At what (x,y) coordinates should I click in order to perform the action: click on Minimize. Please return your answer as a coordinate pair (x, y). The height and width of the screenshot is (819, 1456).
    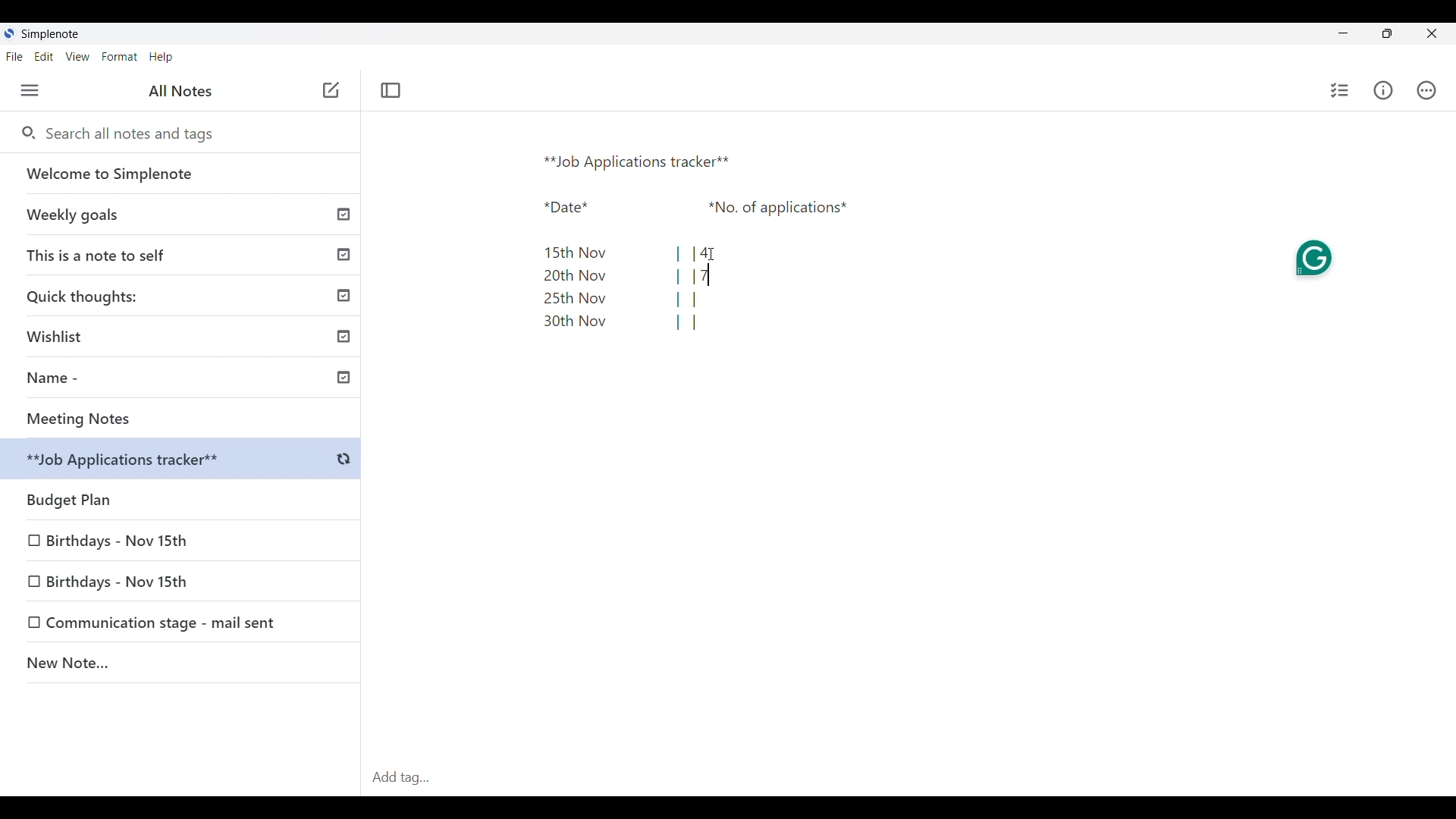
    Looking at the image, I should click on (1343, 33).